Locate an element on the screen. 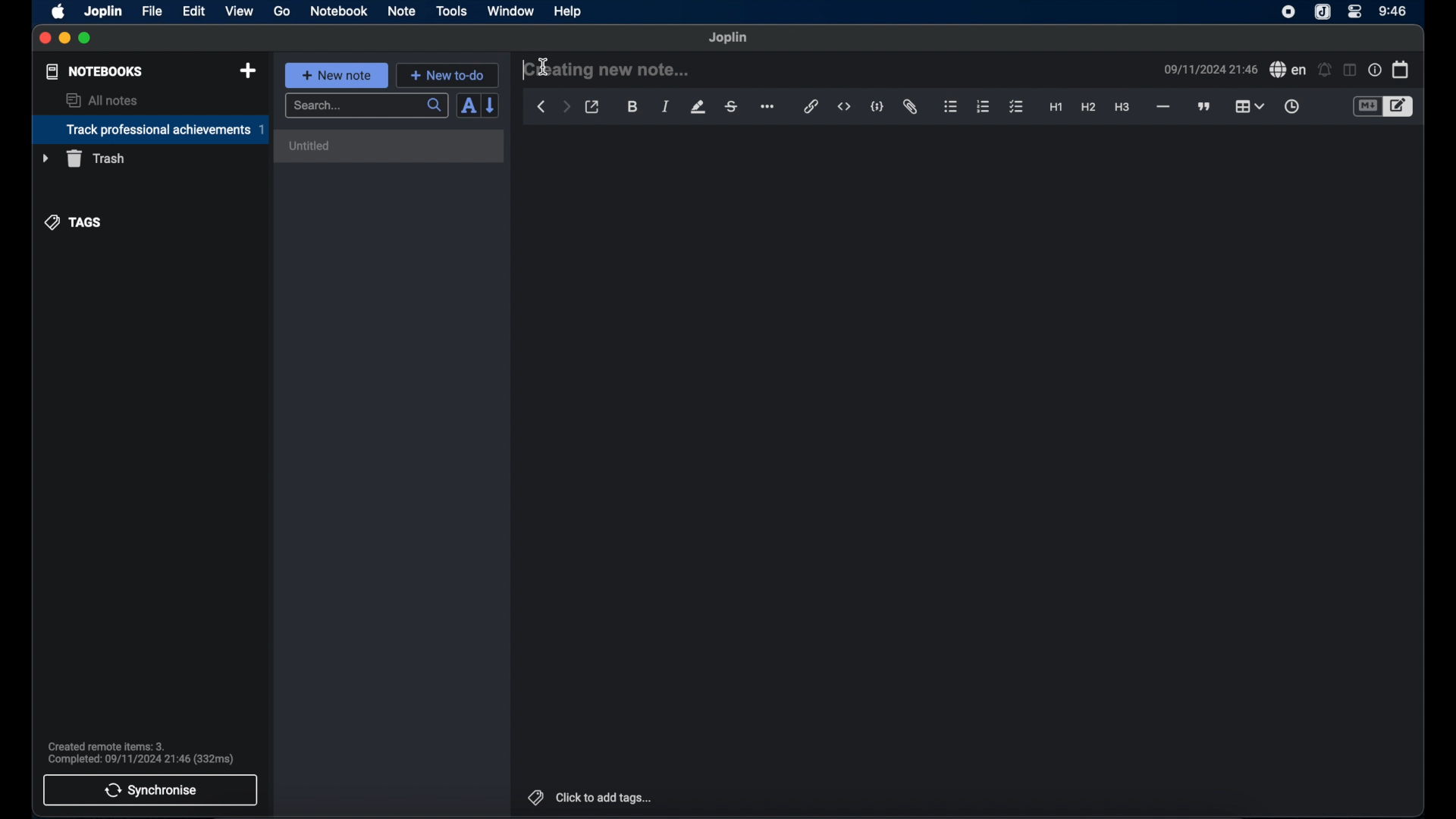 The width and height of the screenshot is (1456, 819). checklist is located at coordinates (1016, 107).